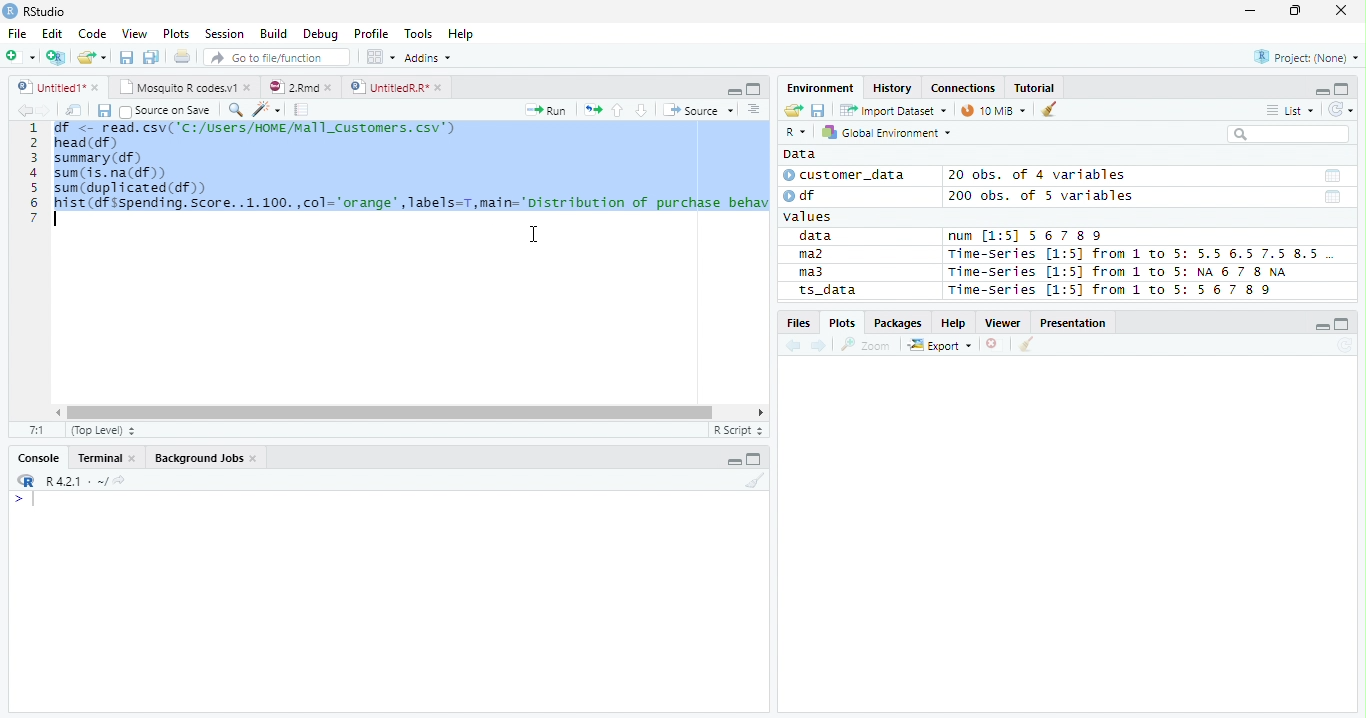 The height and width of the screenshot is (718, 1366). I want to click on Open Folder, so click(93, 56).